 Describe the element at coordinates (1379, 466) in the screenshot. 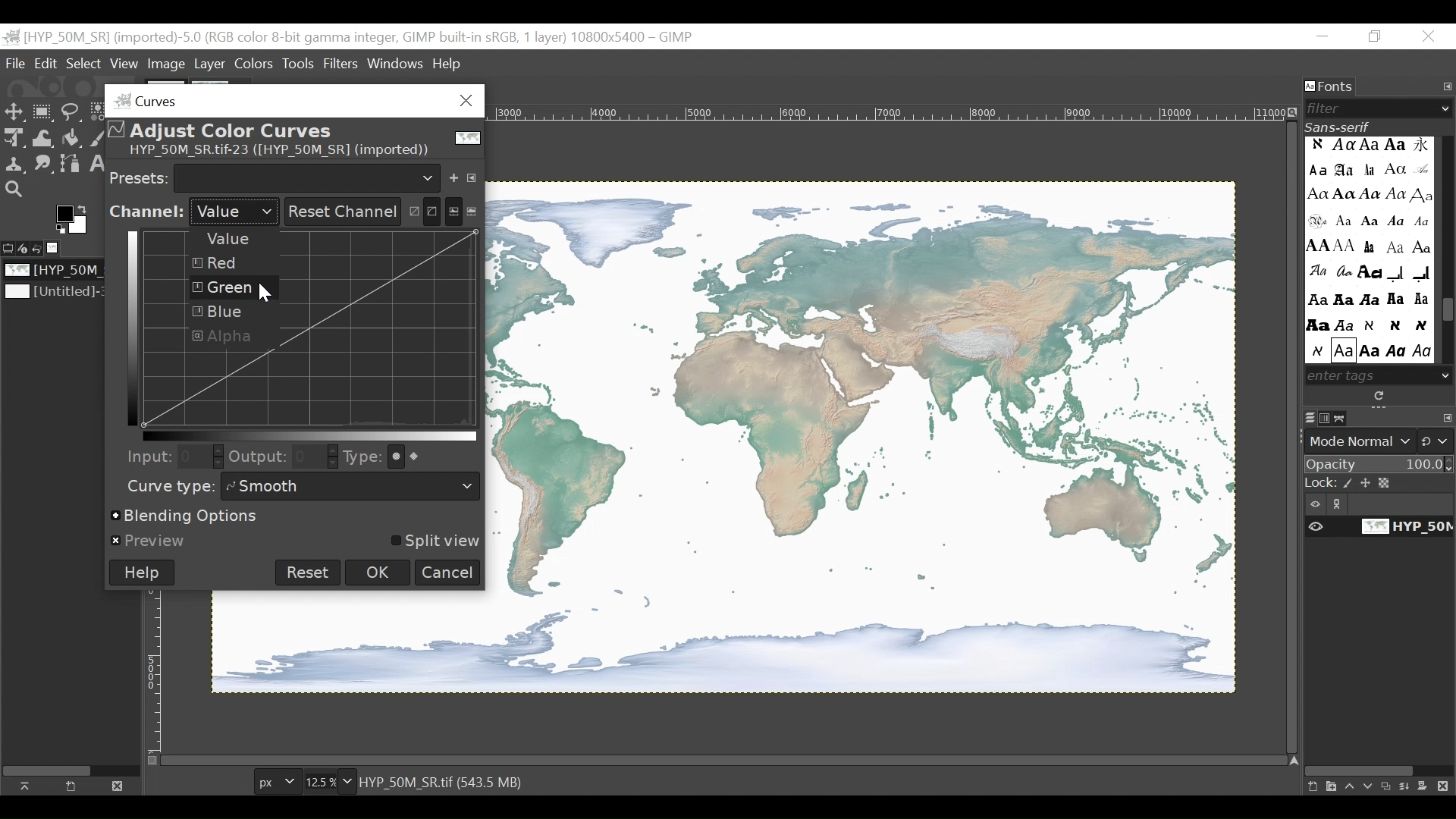

I see `Opacity` at that location.